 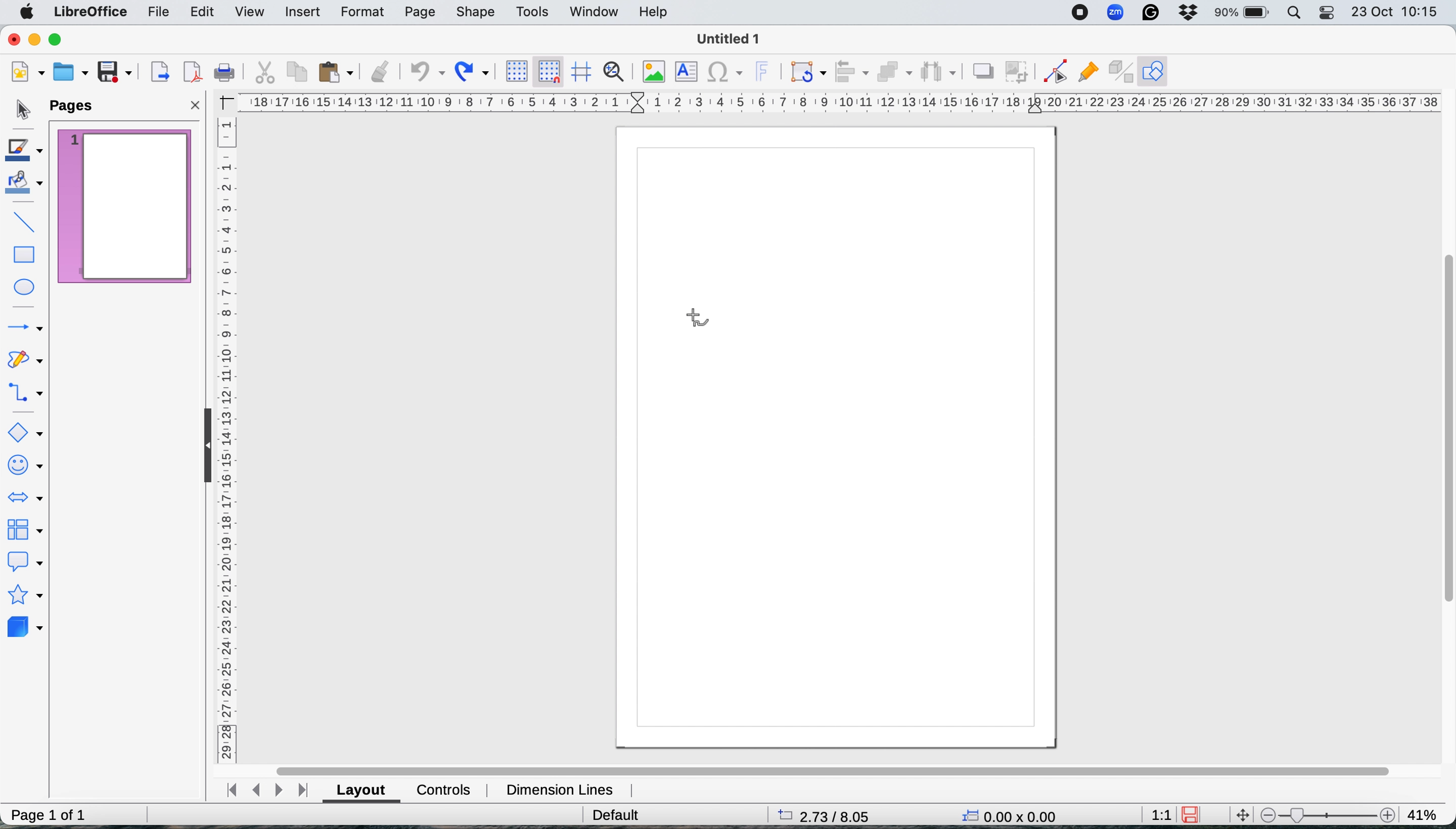 What do you see at coordinates (694, 317) in the screenshot?
I see `mouse down` at bounding box center [694, 317].